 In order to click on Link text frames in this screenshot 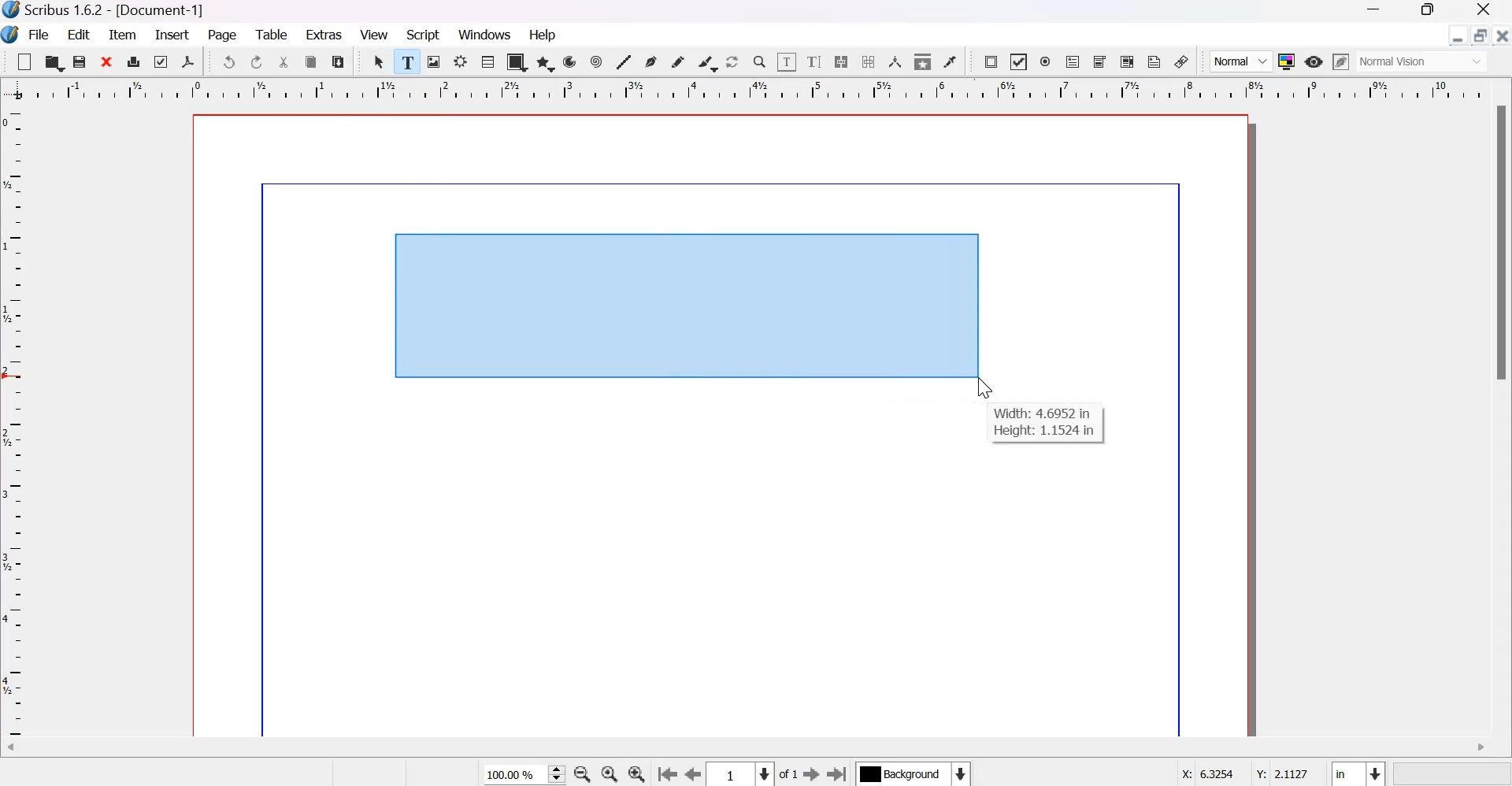, I will do `click(841, 61)`.